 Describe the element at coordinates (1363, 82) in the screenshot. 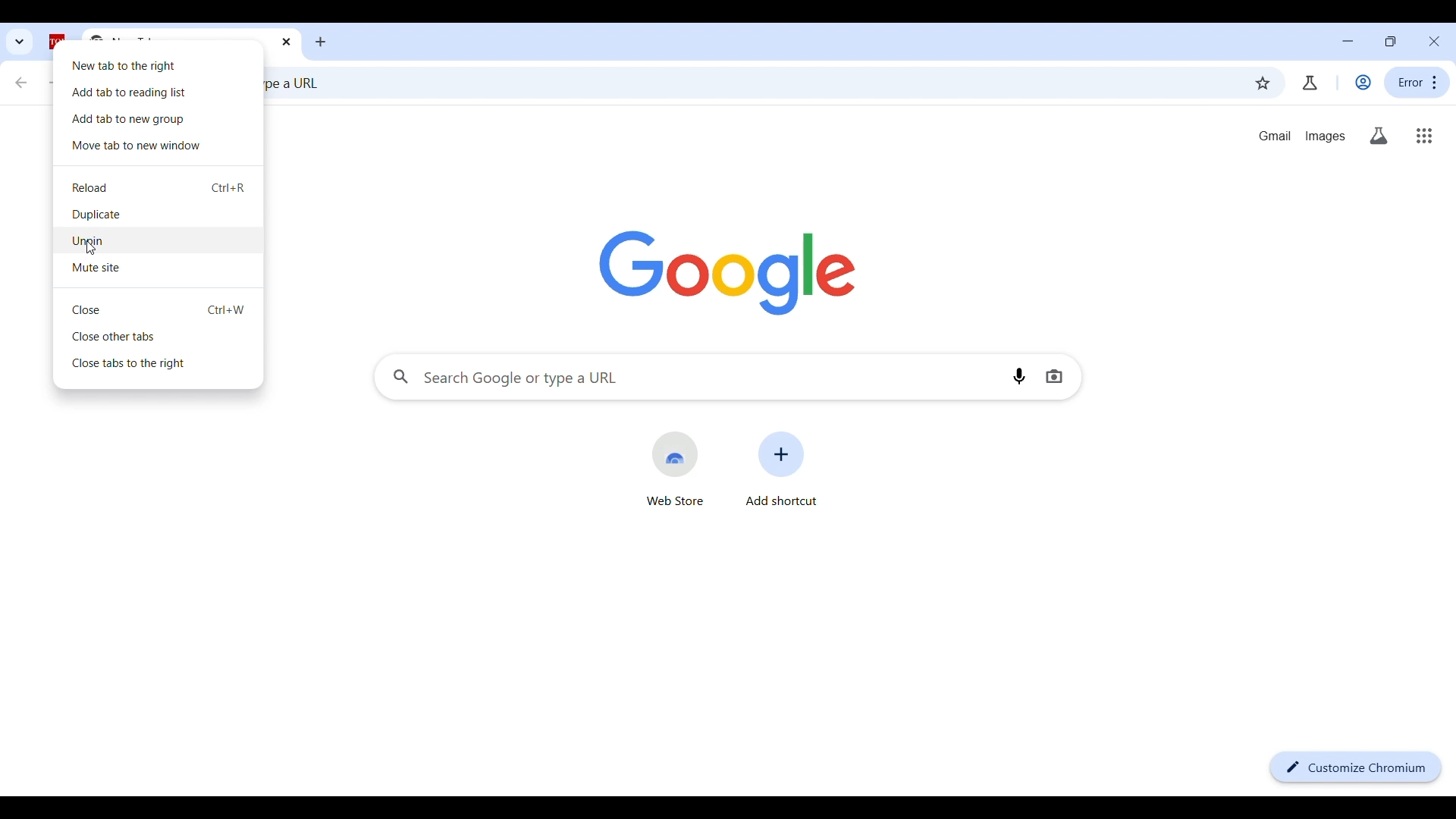

I see `Work` at that location.